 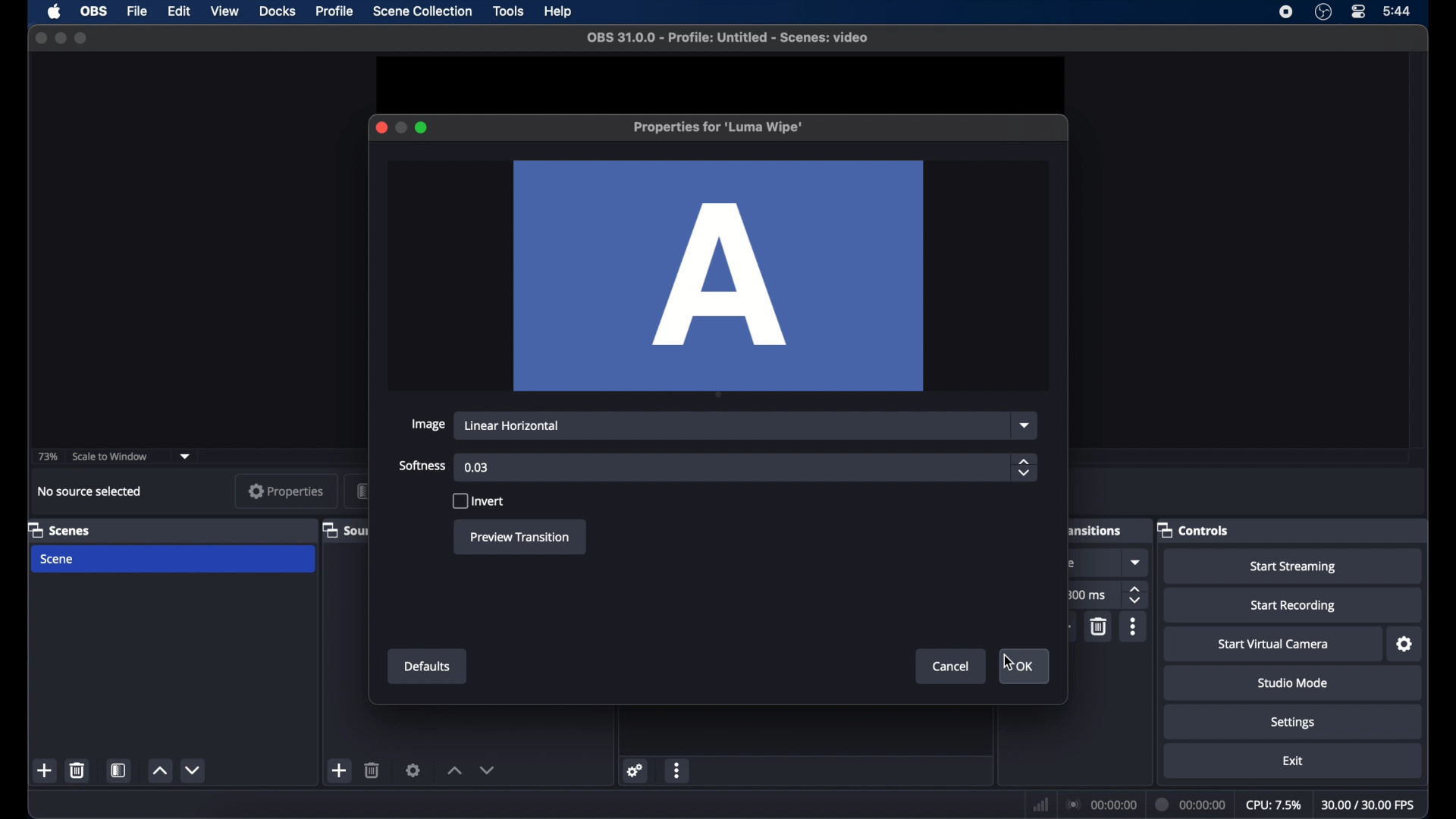 I want to click on delete, so click(x=1100, y=625).